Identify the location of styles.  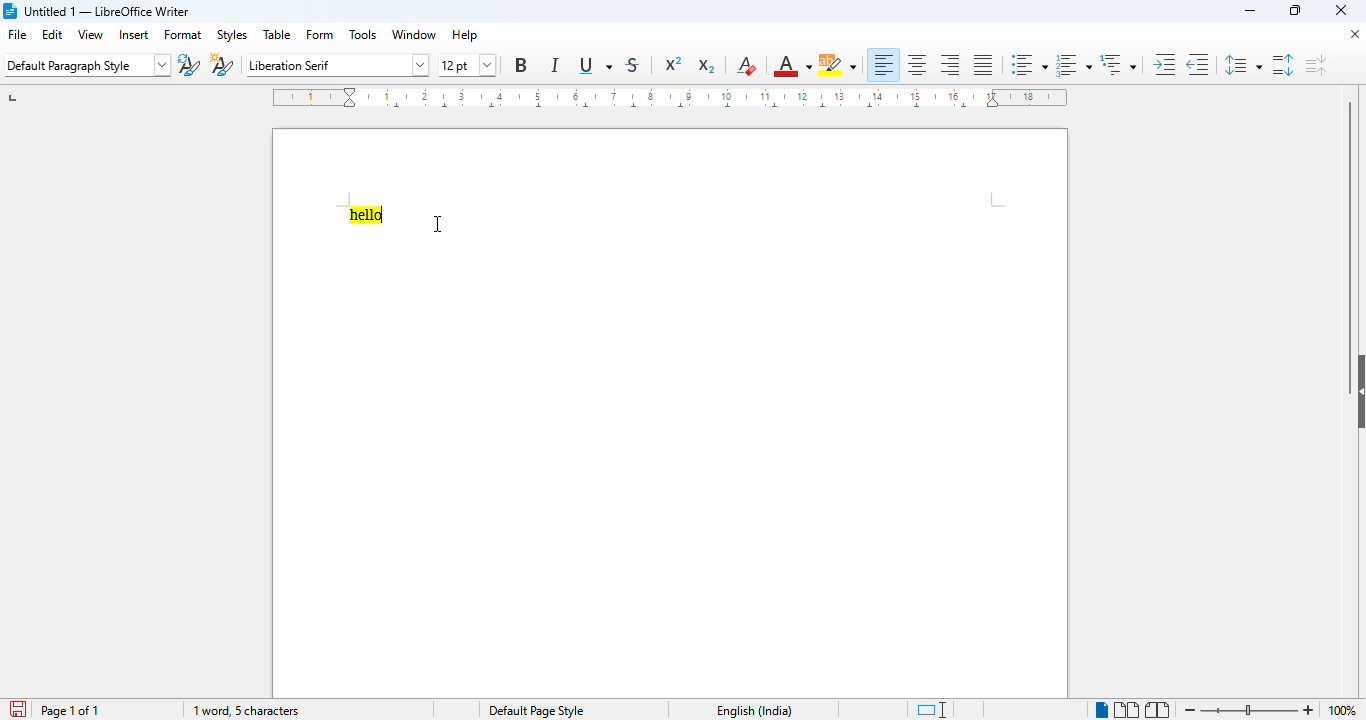
(233, 36).